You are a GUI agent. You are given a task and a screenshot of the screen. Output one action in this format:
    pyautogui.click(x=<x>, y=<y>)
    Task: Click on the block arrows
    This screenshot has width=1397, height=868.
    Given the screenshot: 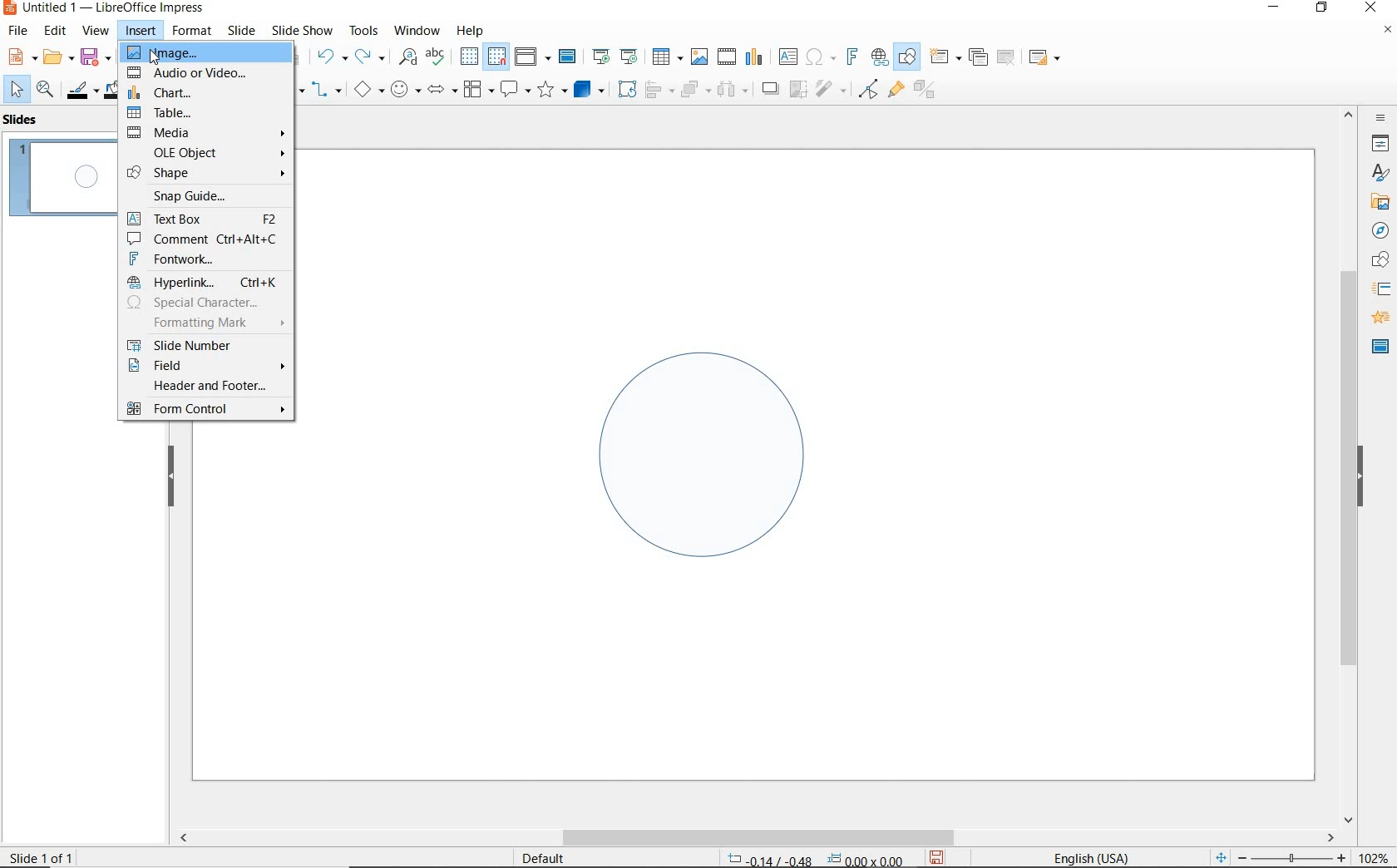 What is the action you would take?
    pyautogui.click(x=439, y=91)
    